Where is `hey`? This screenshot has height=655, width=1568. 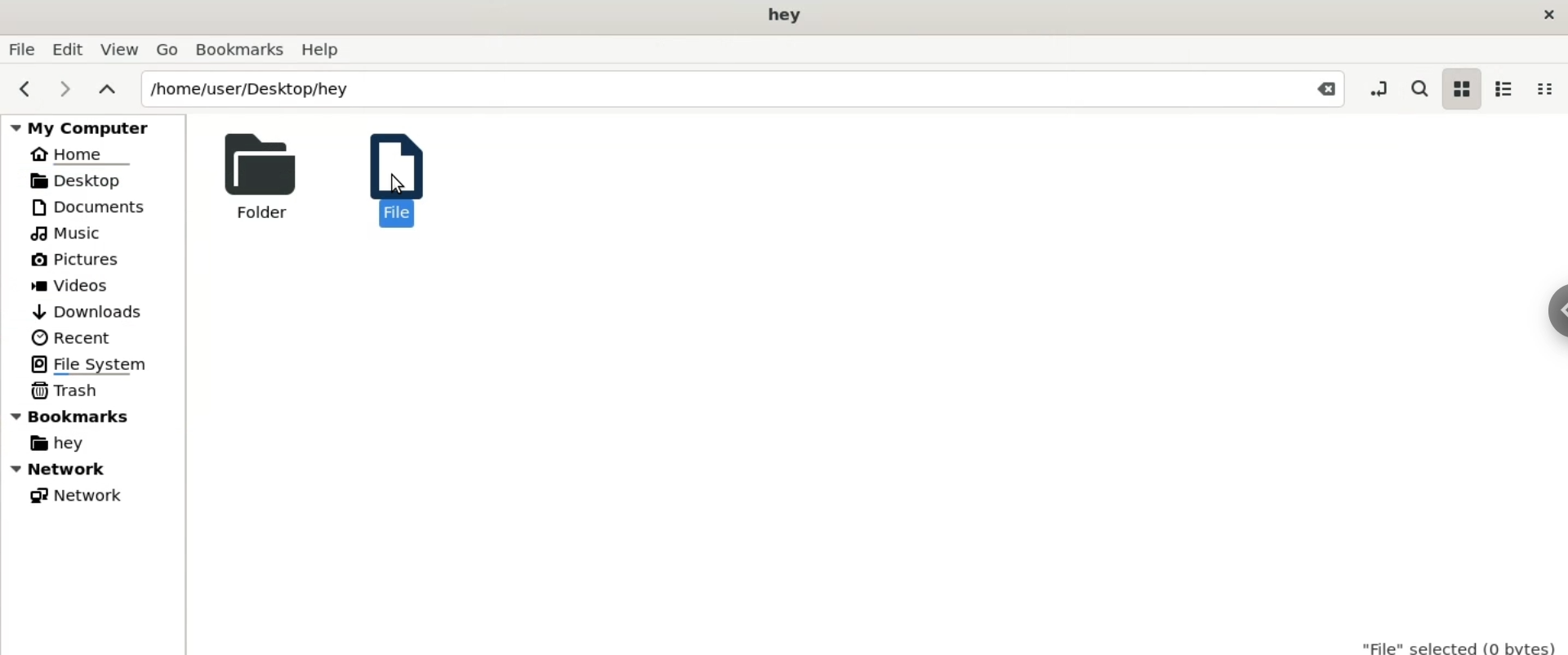
hey is located at coordinates (786, 16).